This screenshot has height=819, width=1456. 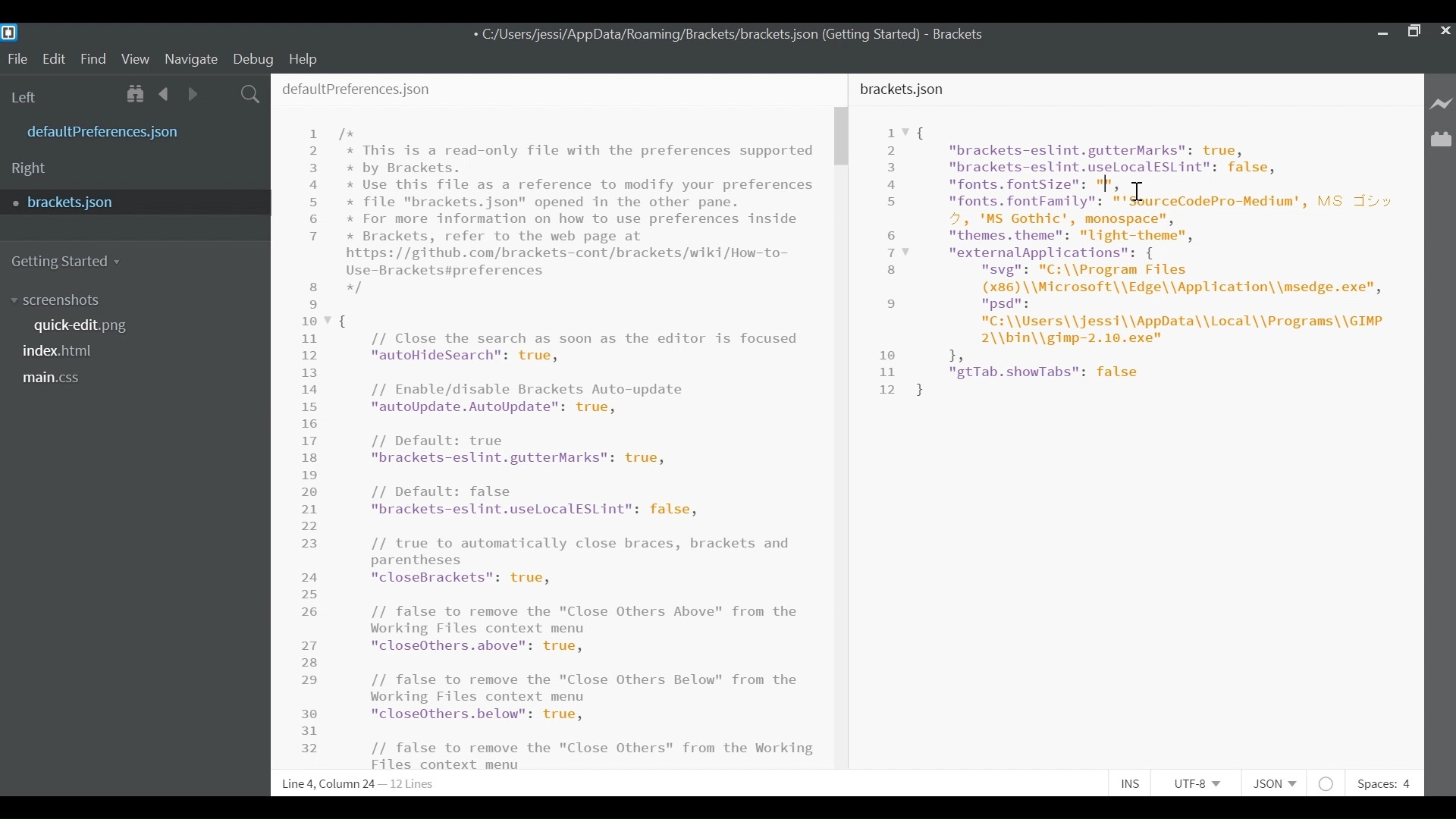 What do you see at coordinates (1446, 33) in the screenshot?
I see `Close` at bounding box center [1446, 33].